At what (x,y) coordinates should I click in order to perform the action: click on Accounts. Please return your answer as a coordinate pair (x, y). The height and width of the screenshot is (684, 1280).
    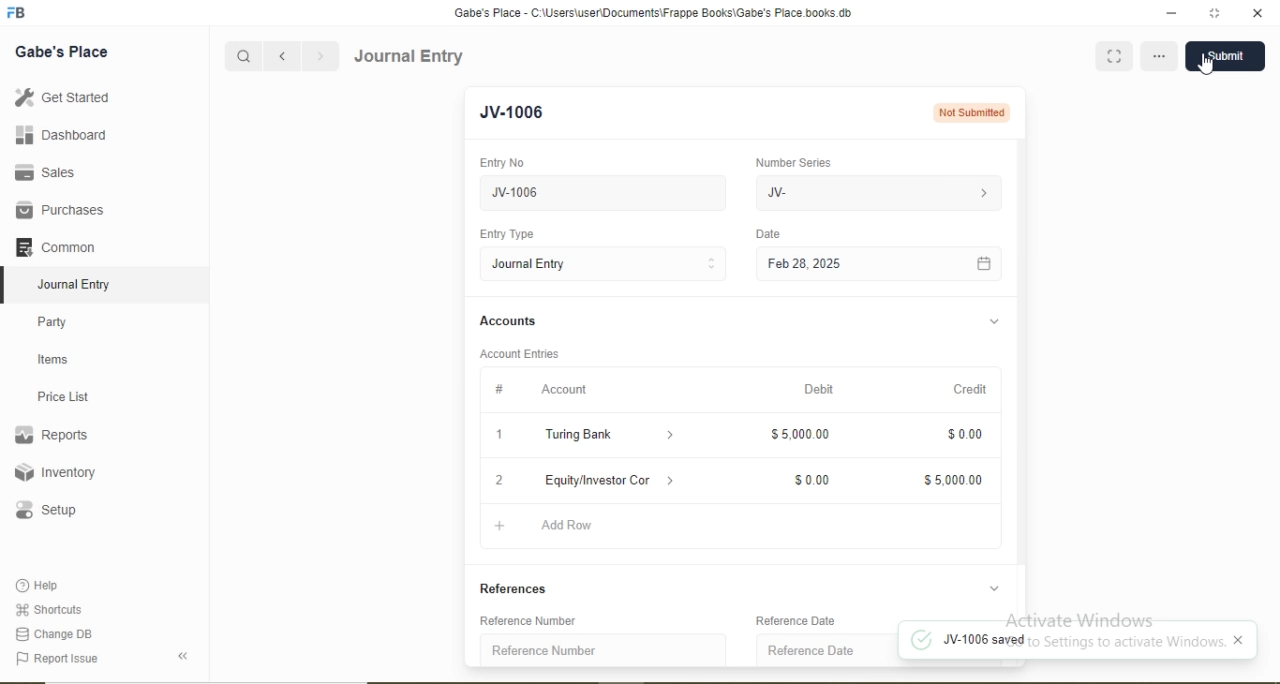
    Looking at the image, I should click on (508, 320).